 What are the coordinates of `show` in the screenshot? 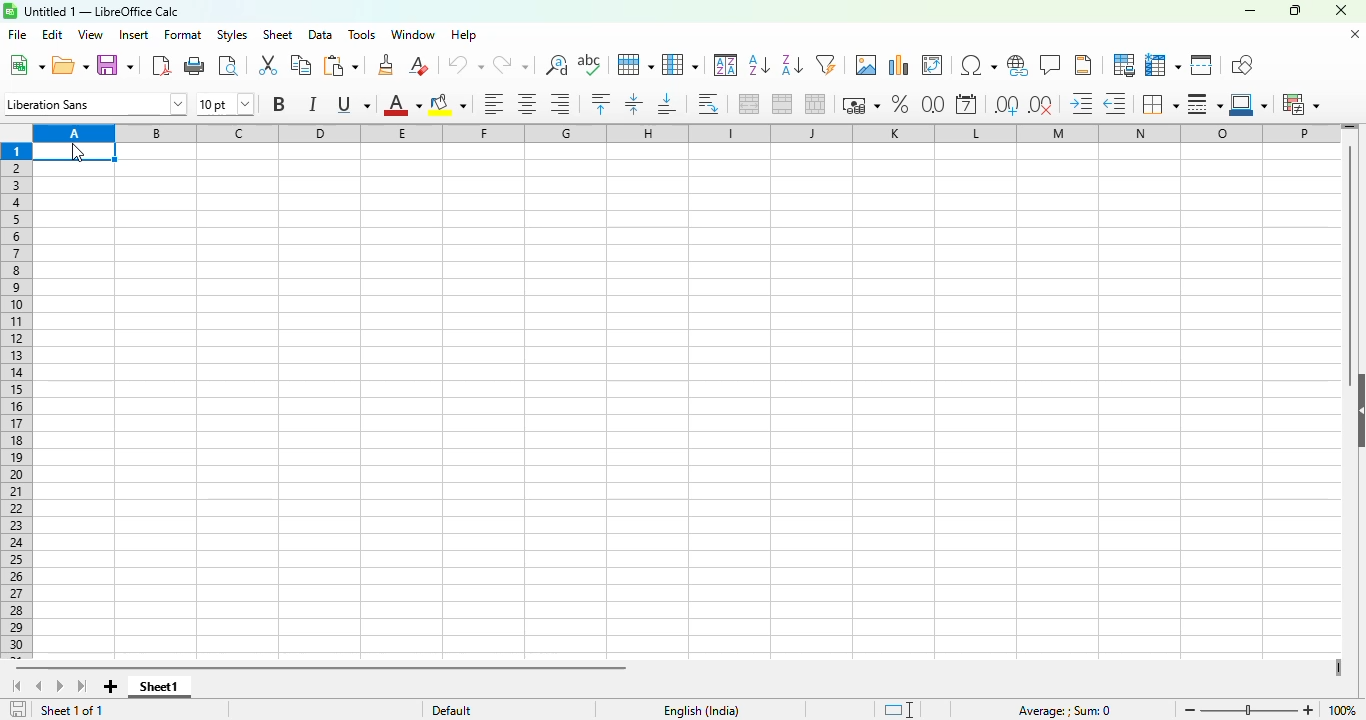 It's located at (1357, 410).